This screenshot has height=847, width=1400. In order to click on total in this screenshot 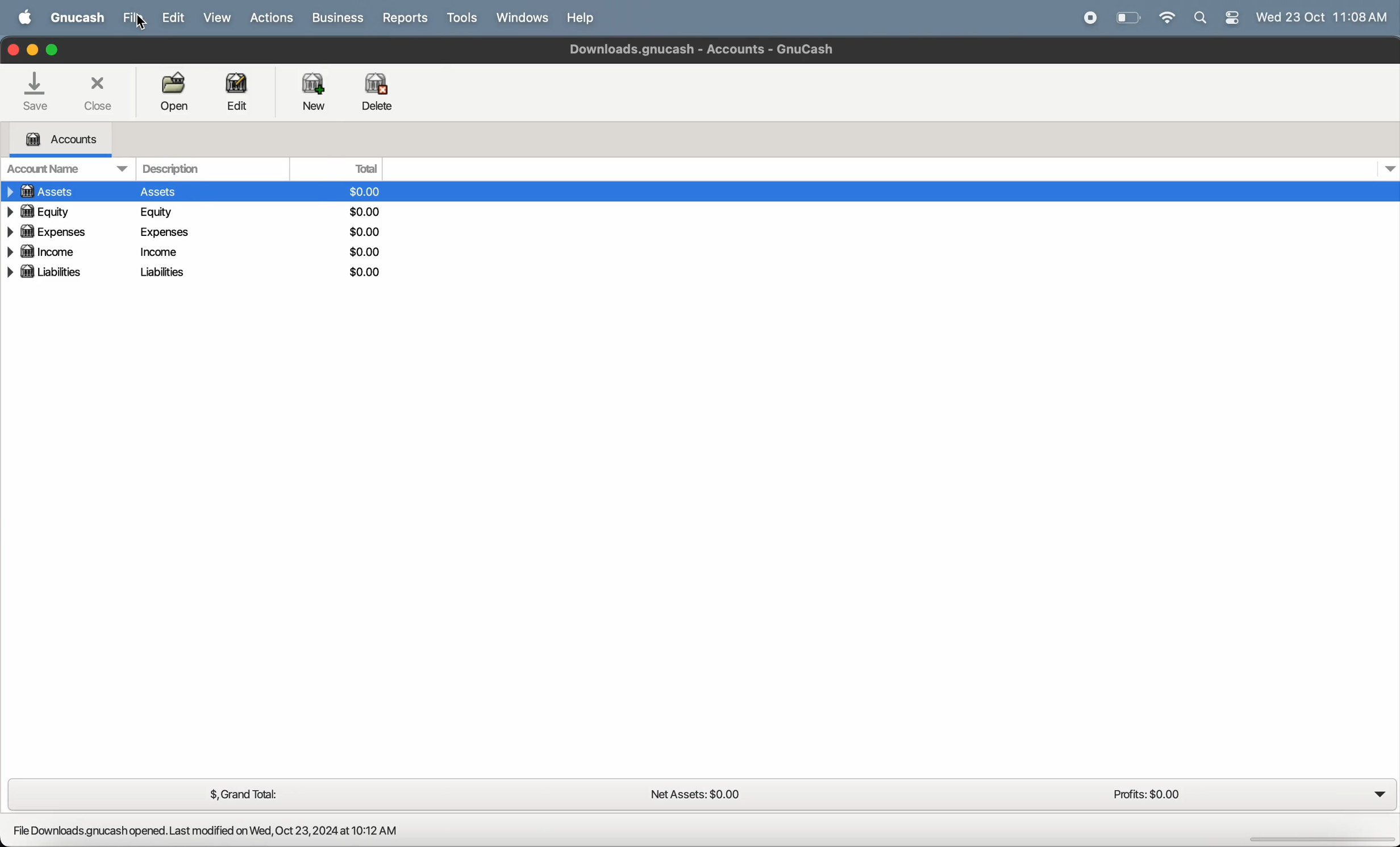, I will do `click(364, 168)`.